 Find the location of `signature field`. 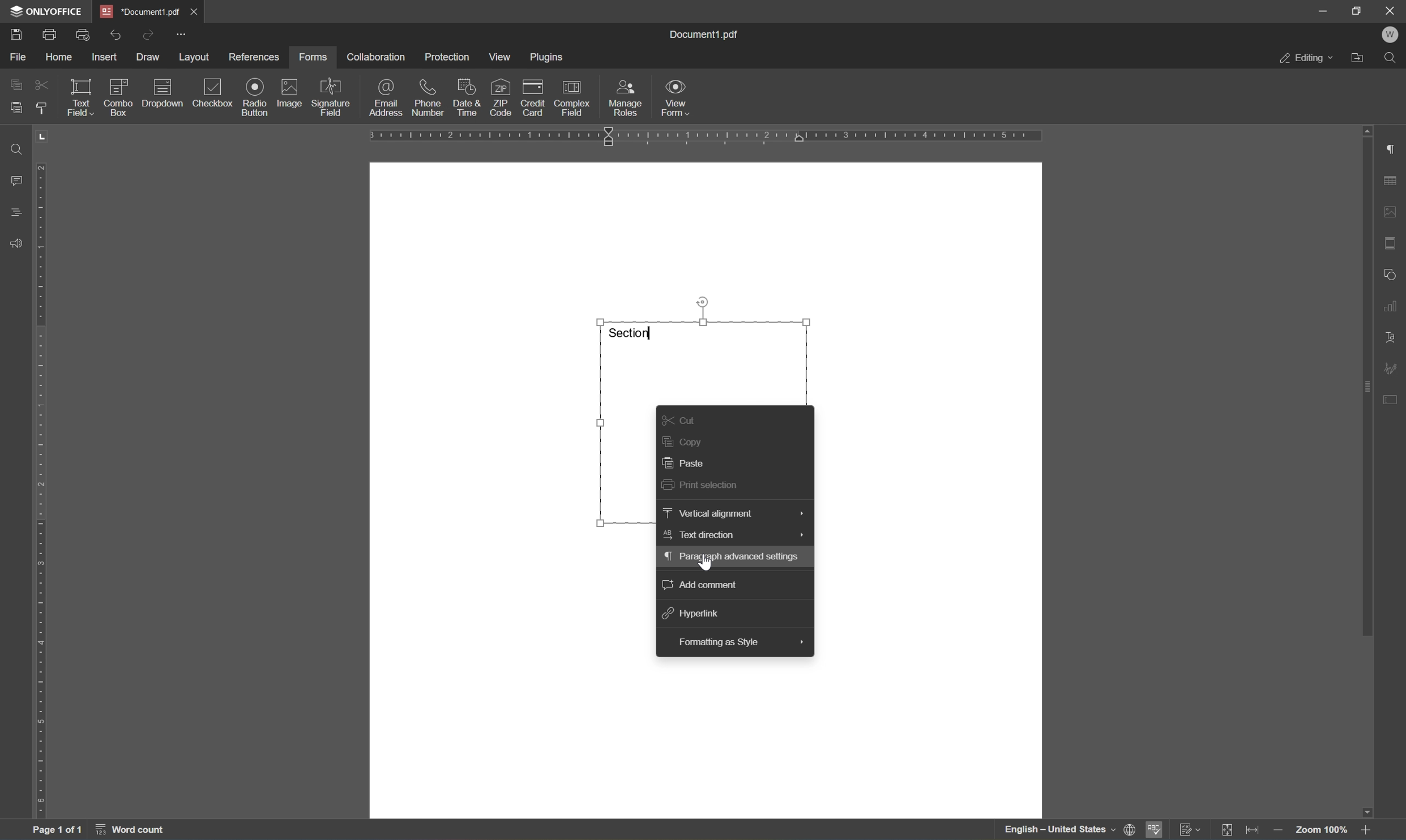

signature field is located at coordinates (331, 98).